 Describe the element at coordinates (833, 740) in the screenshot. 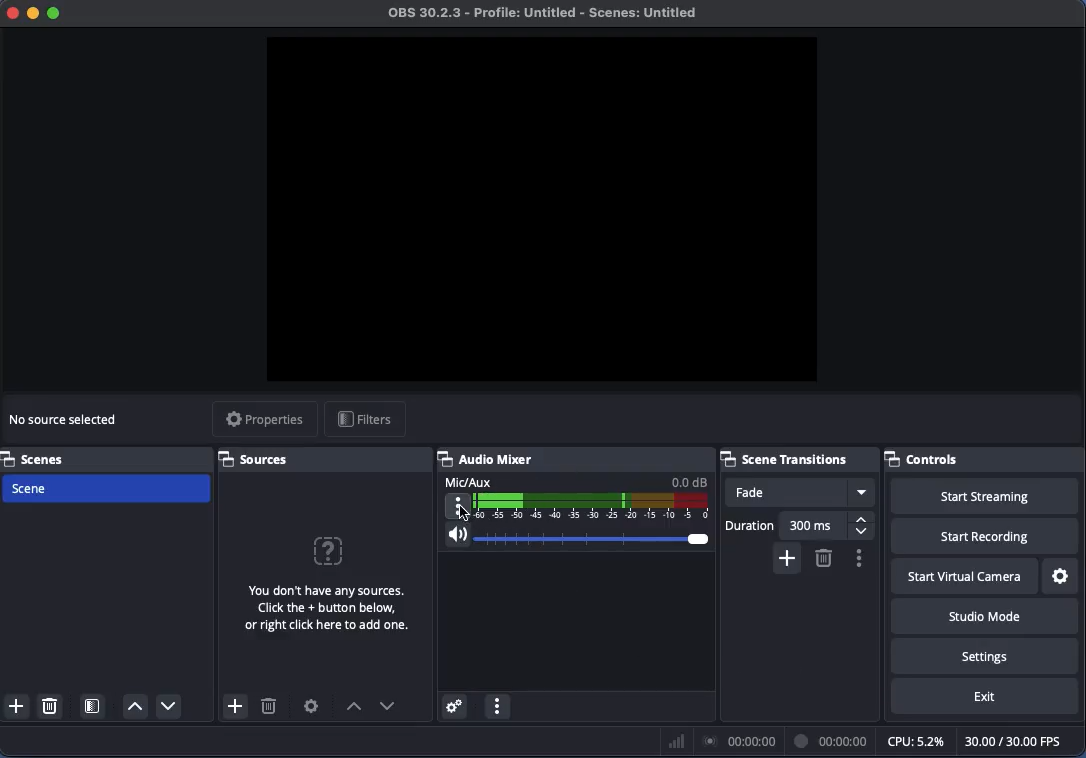

I see `Time` at that location.